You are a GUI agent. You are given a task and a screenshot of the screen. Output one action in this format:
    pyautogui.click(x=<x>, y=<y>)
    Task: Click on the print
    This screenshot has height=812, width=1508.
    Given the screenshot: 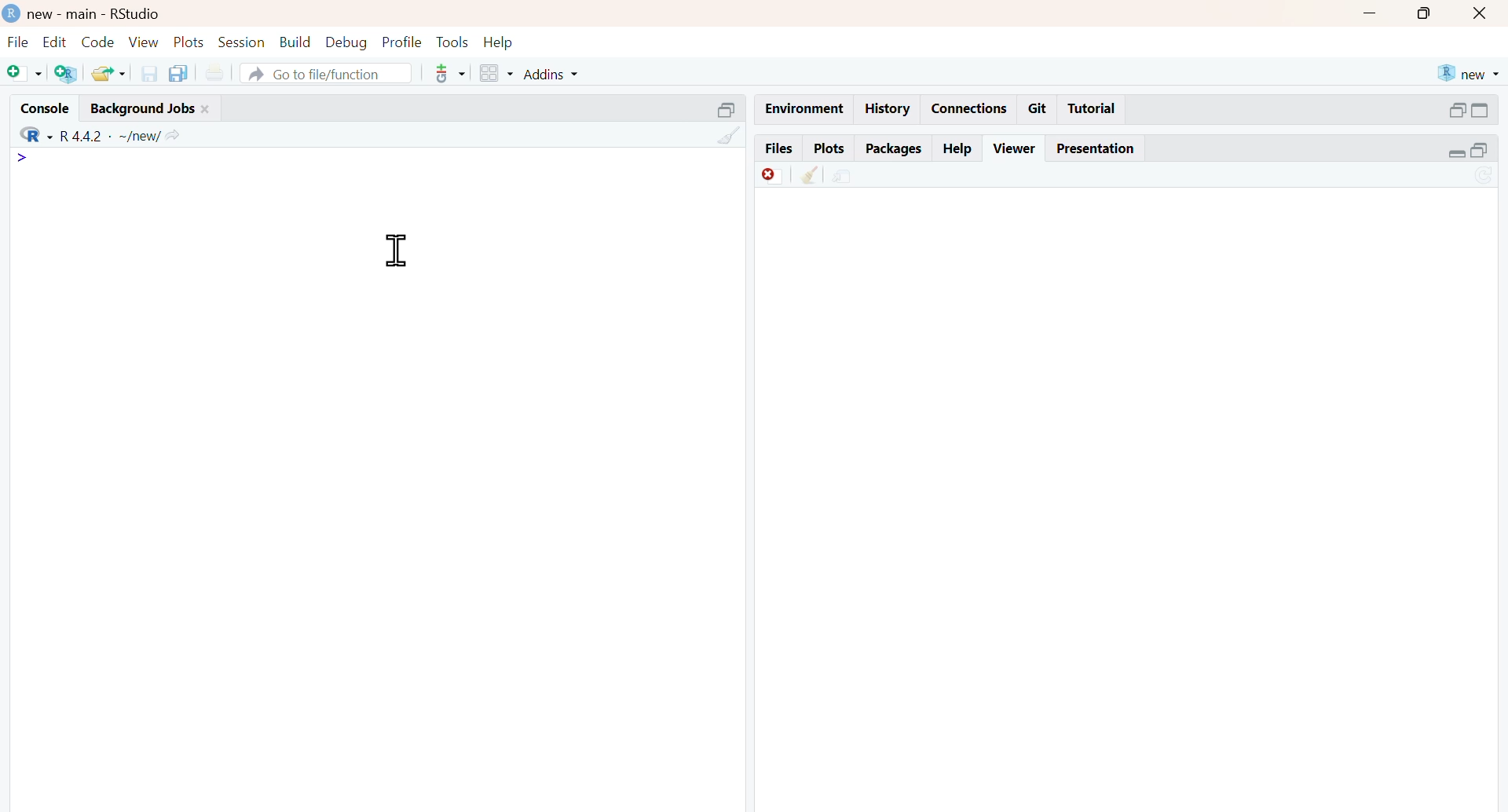 What is the action you would take?
    pyautogui.click(x=215, y=74)
    